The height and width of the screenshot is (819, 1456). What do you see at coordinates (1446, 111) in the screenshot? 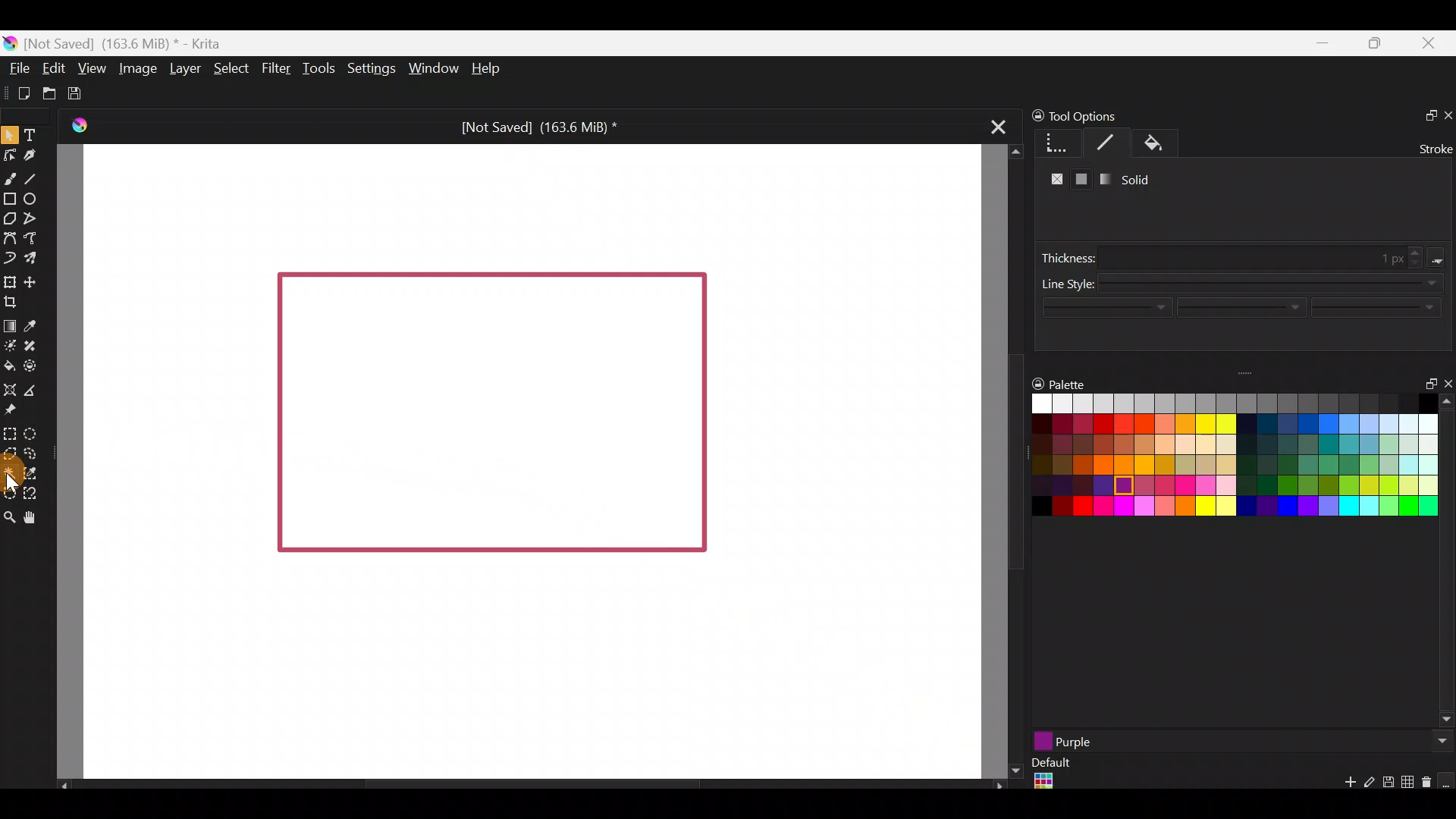
I see `Close docker` at bounding box center [1446, 111].